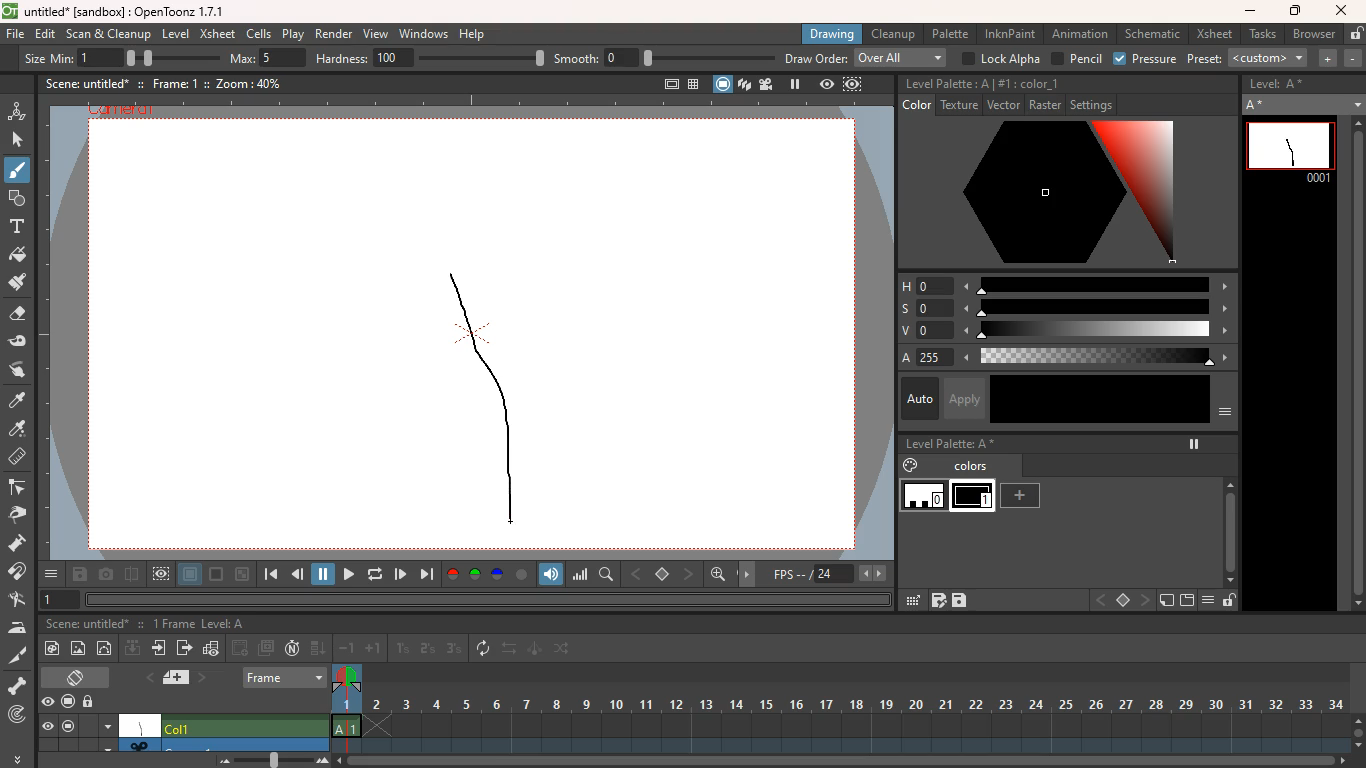 The height and width of the screenshot is (768, 1366). Describe the element at coordinates (1260, 35) in the screenshot. I see `tasks` at that location.